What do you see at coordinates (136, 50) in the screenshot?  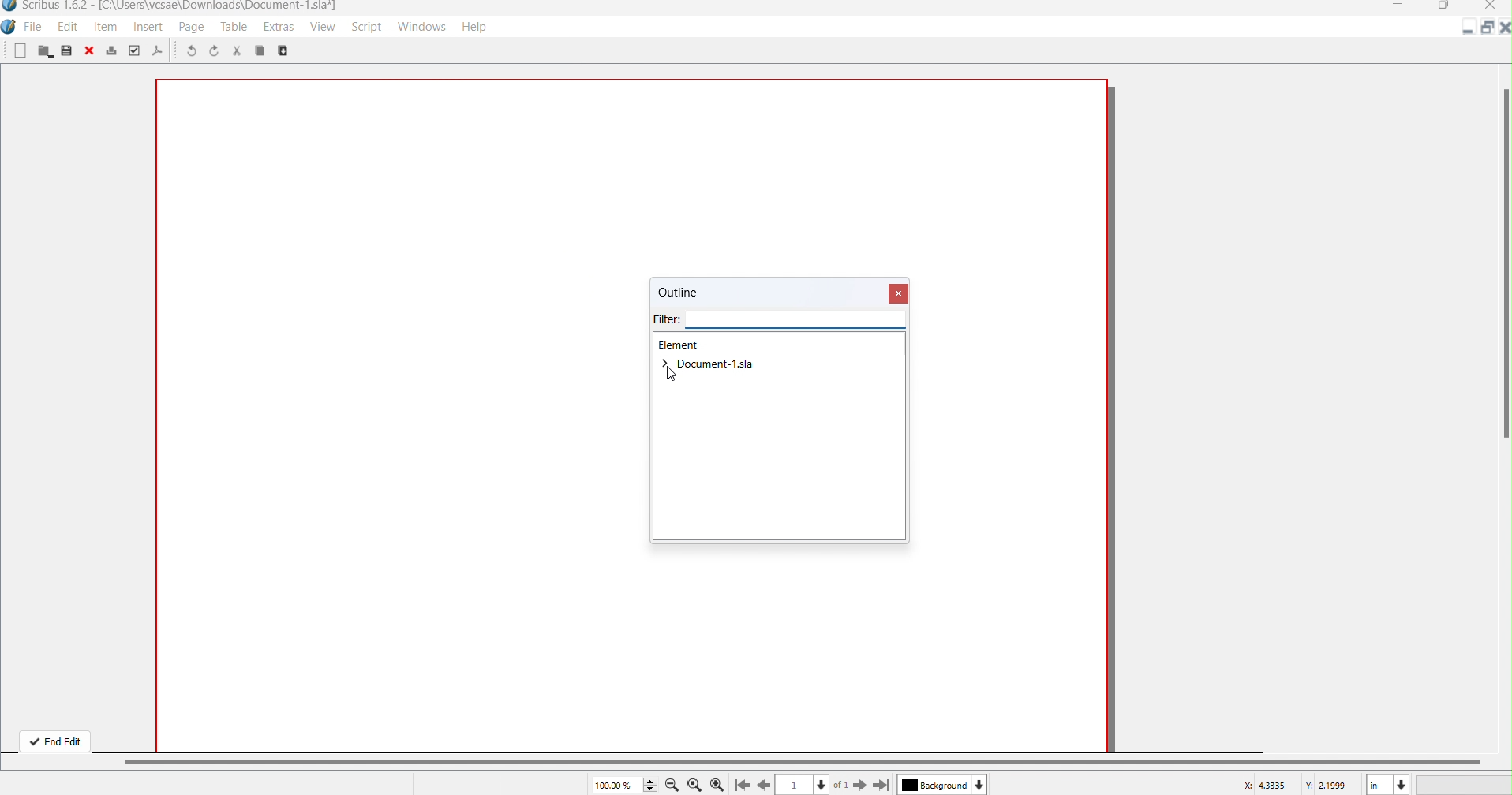 I see `` at bounding box center [136, 50].